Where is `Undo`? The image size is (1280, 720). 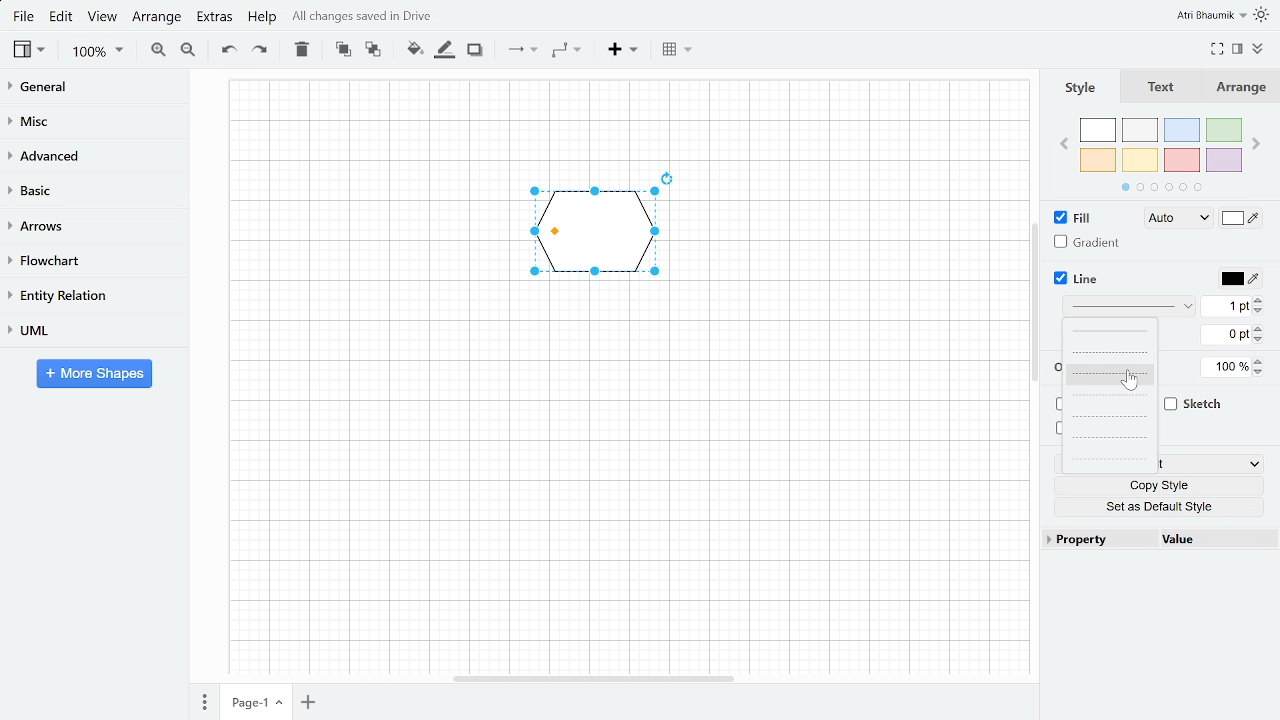 Undo is located at coordinates (225, 52).